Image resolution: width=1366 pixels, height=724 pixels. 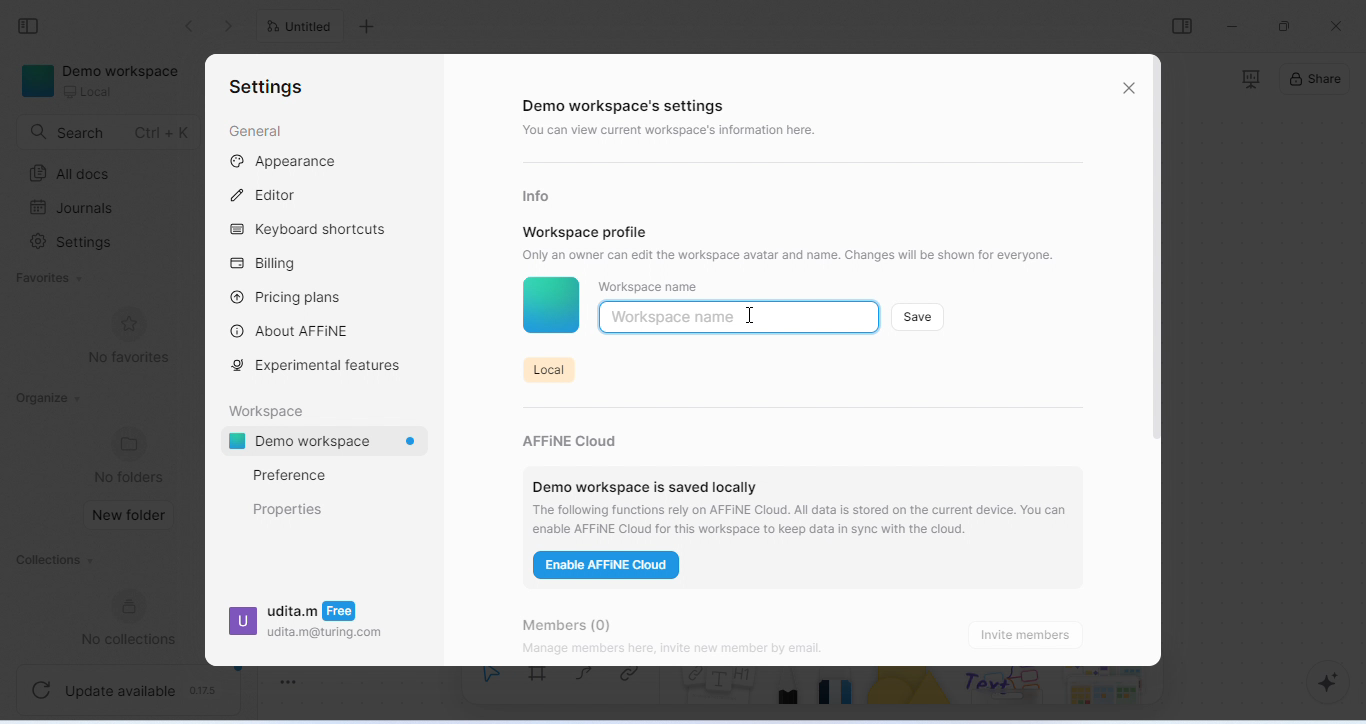 I want to click on ‘The following functions rely on AFFINE Cloud. All data is stored on the current device. You can enable AFFINE Cloud for this workspace to keep data in sync with the cloud., so click(x=804, y=519).